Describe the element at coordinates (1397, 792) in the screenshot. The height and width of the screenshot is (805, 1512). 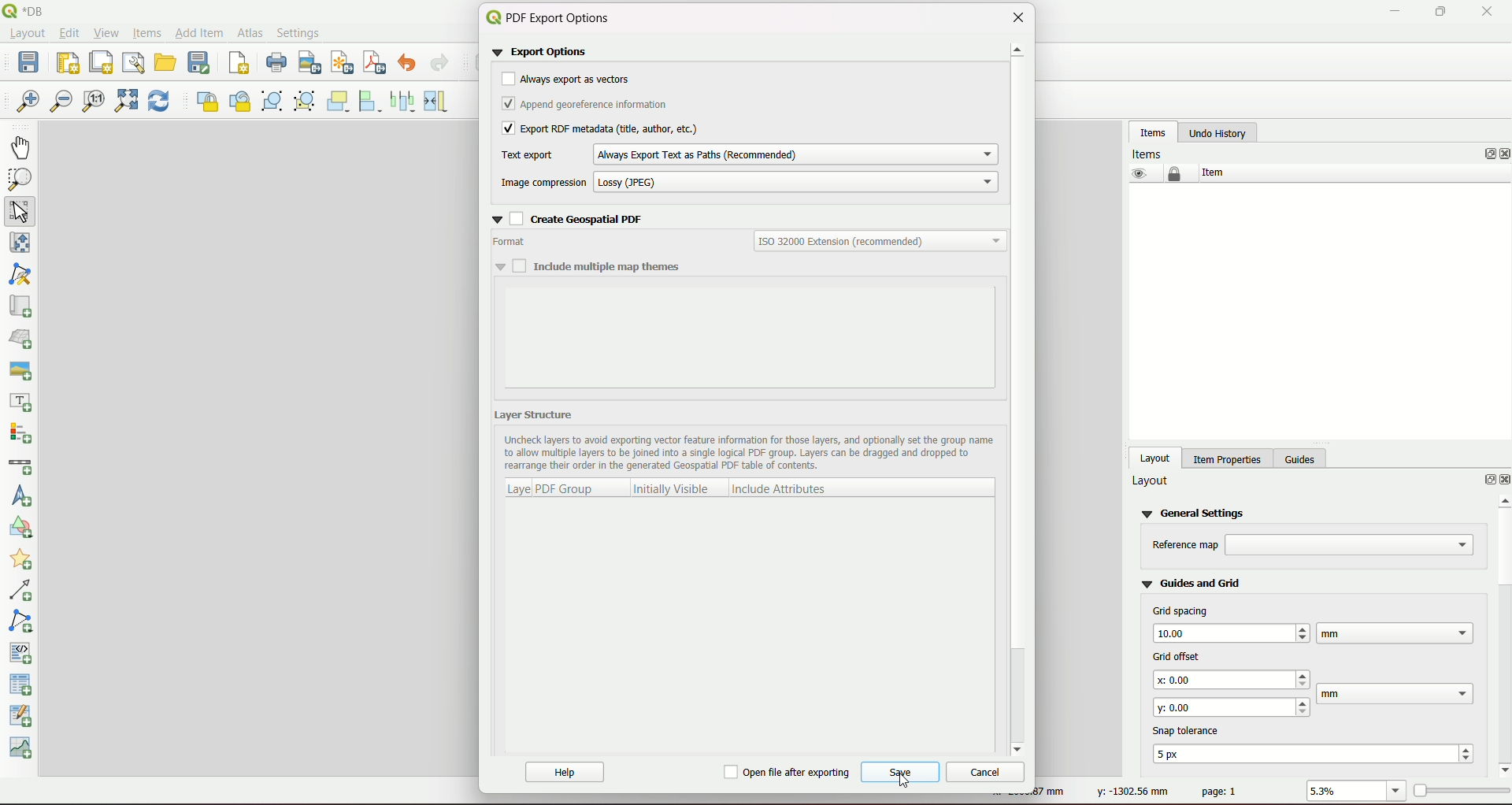
I see `zoom` at that location.